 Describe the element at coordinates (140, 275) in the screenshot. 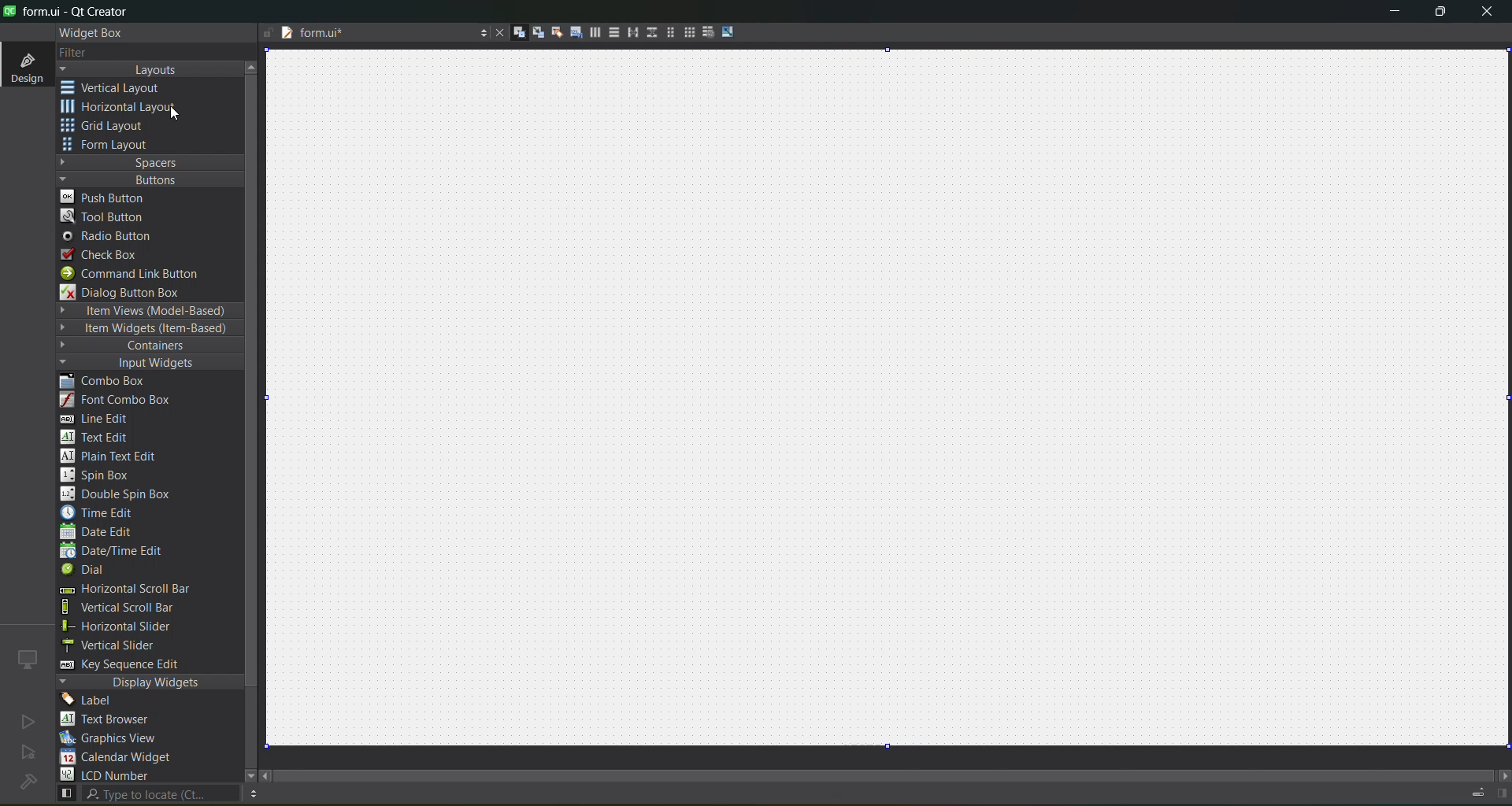

I see `command` at that location.